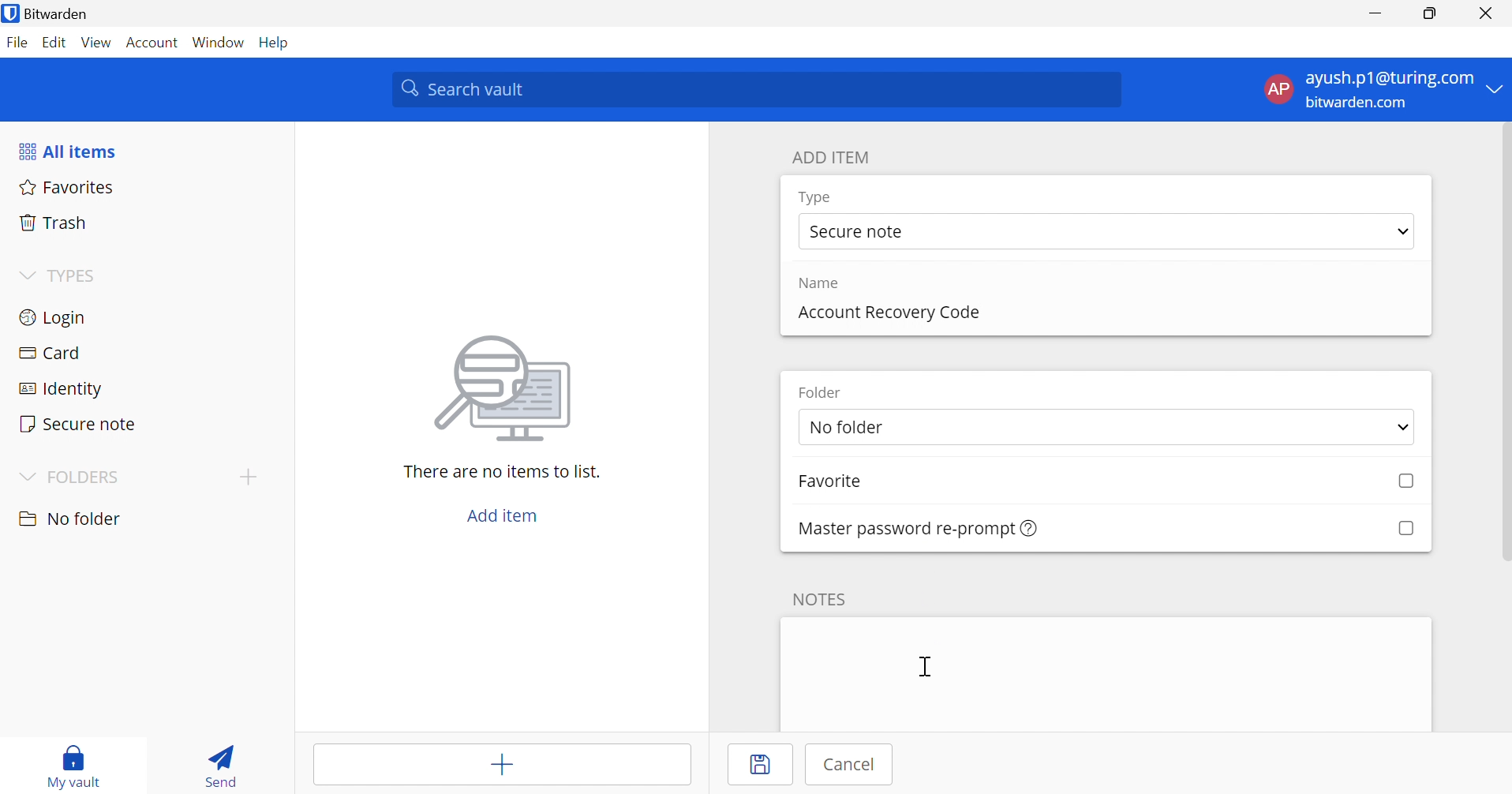 This screenshot has width=1512, height=794. I want to click on Trash, so click(54, 223).